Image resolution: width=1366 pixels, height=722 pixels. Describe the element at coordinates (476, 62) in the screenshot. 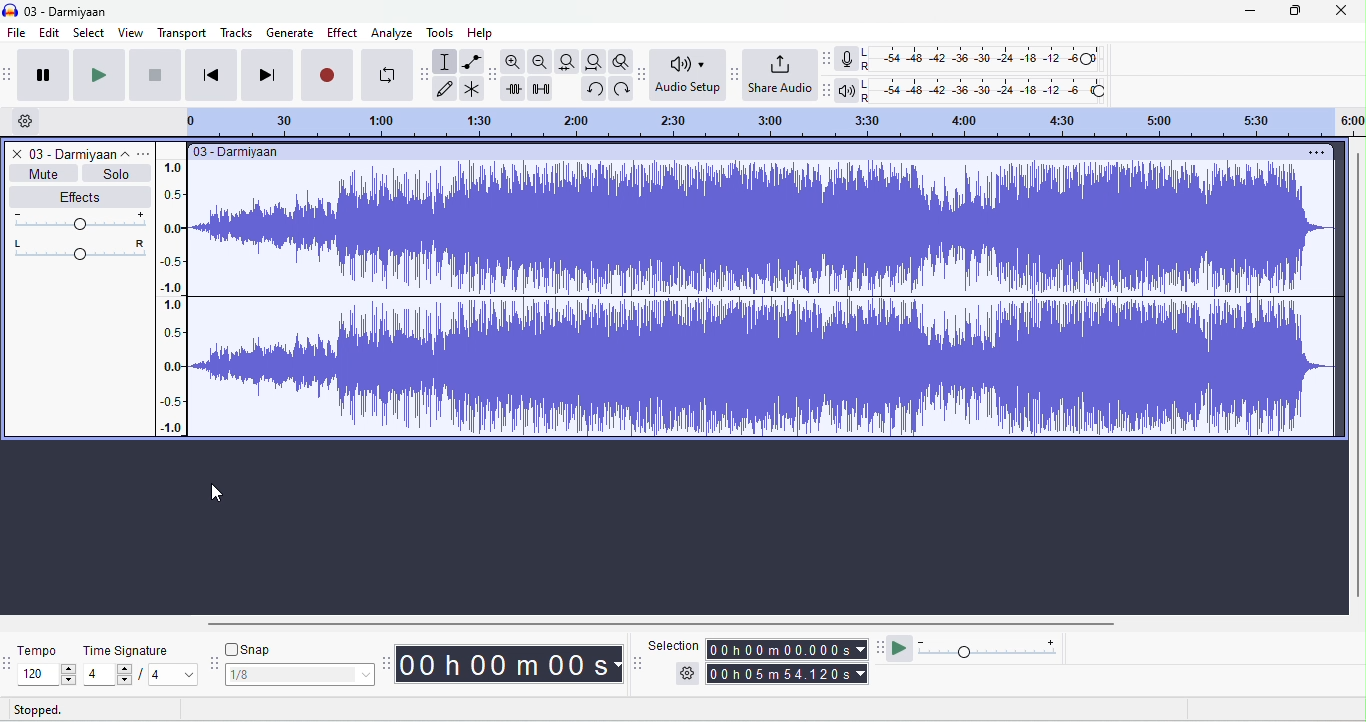

I see `envelop` at that location.